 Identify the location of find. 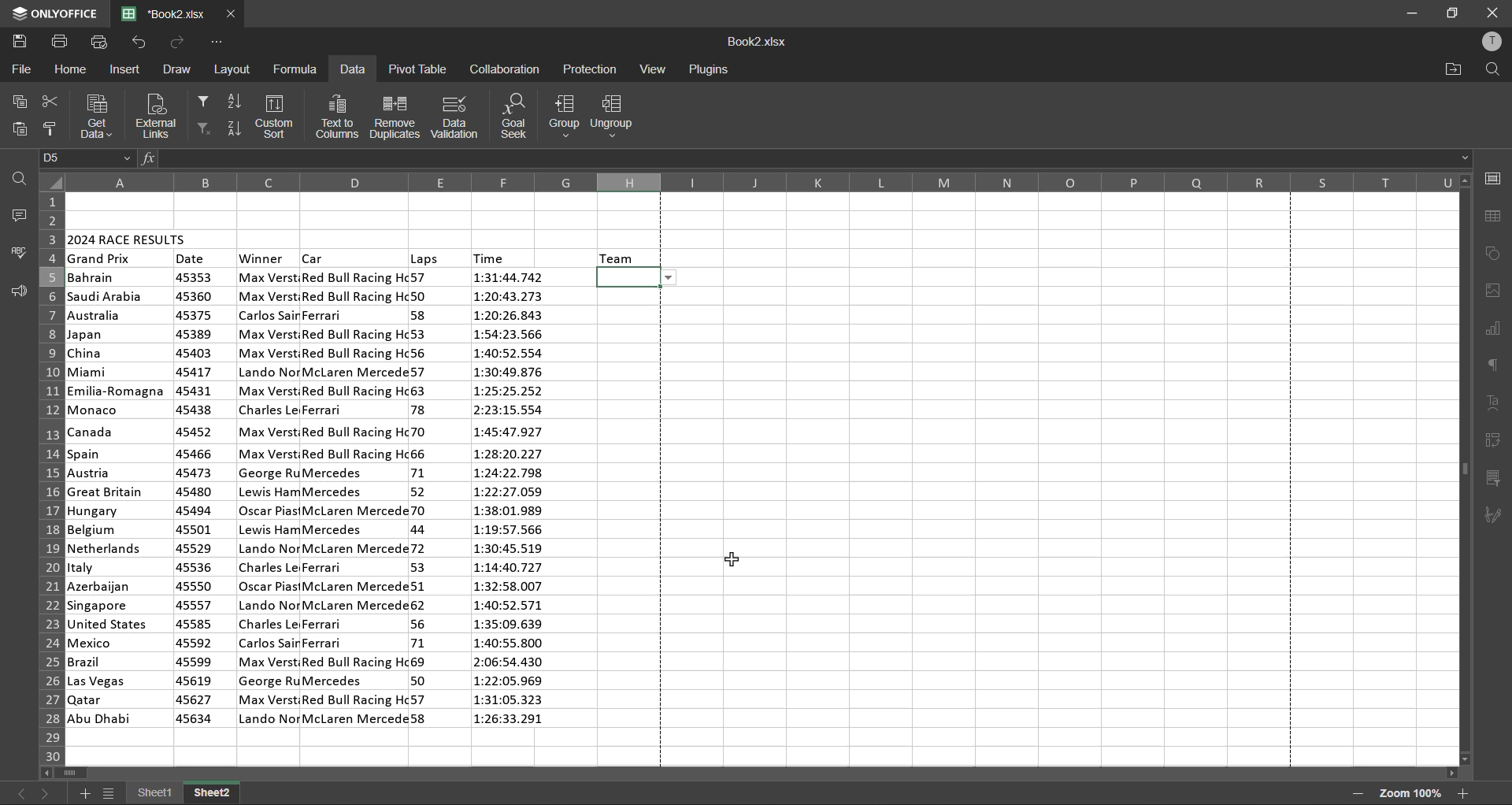
(1488, 69).